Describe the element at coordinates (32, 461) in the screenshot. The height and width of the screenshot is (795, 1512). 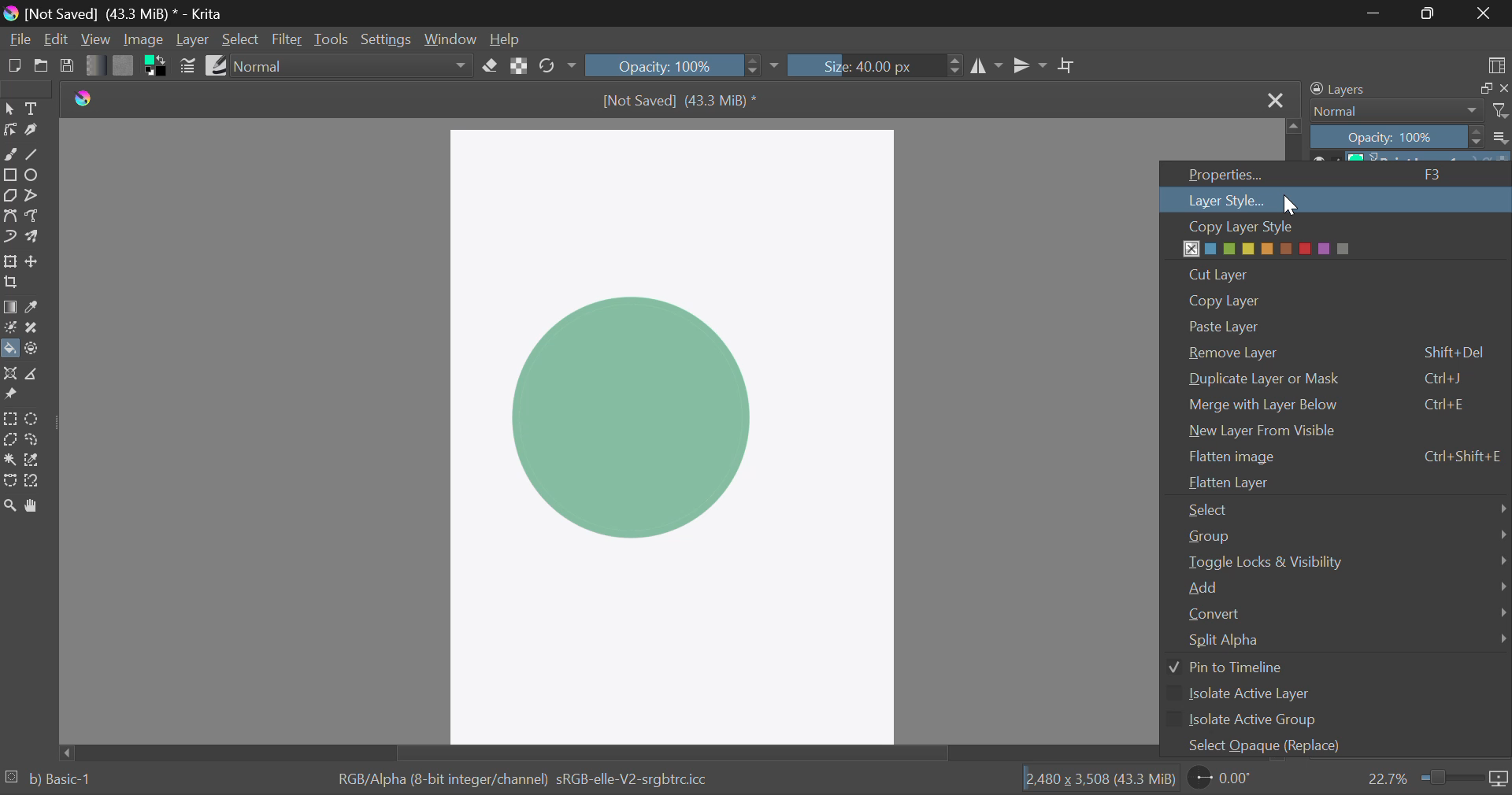
I see `Similar Color Selection` at that location.